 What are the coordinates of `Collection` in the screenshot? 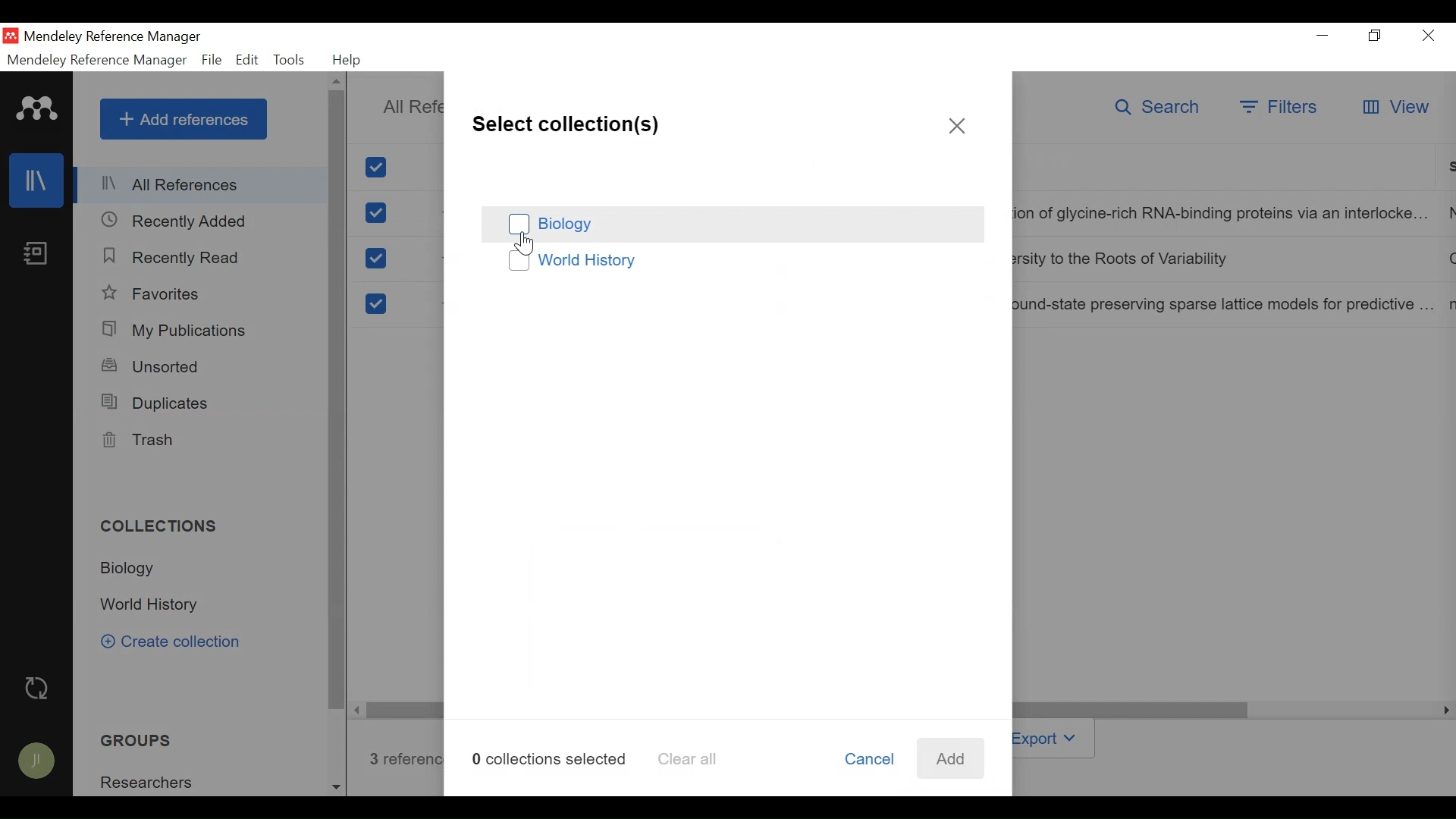 It's located at (133, 569).